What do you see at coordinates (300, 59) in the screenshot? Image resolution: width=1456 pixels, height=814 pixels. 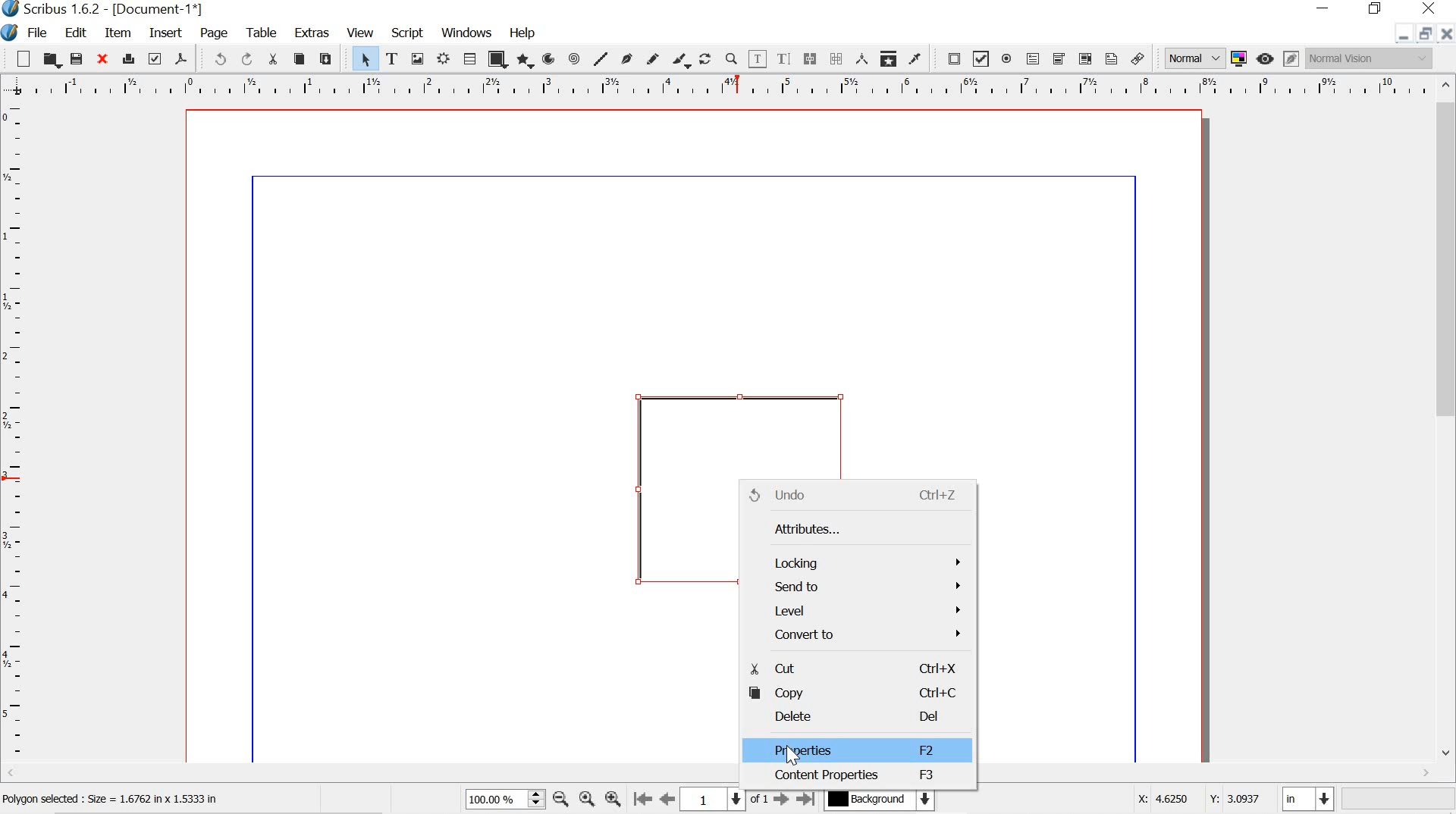 I see `copy` at bounding box center [300, 59].